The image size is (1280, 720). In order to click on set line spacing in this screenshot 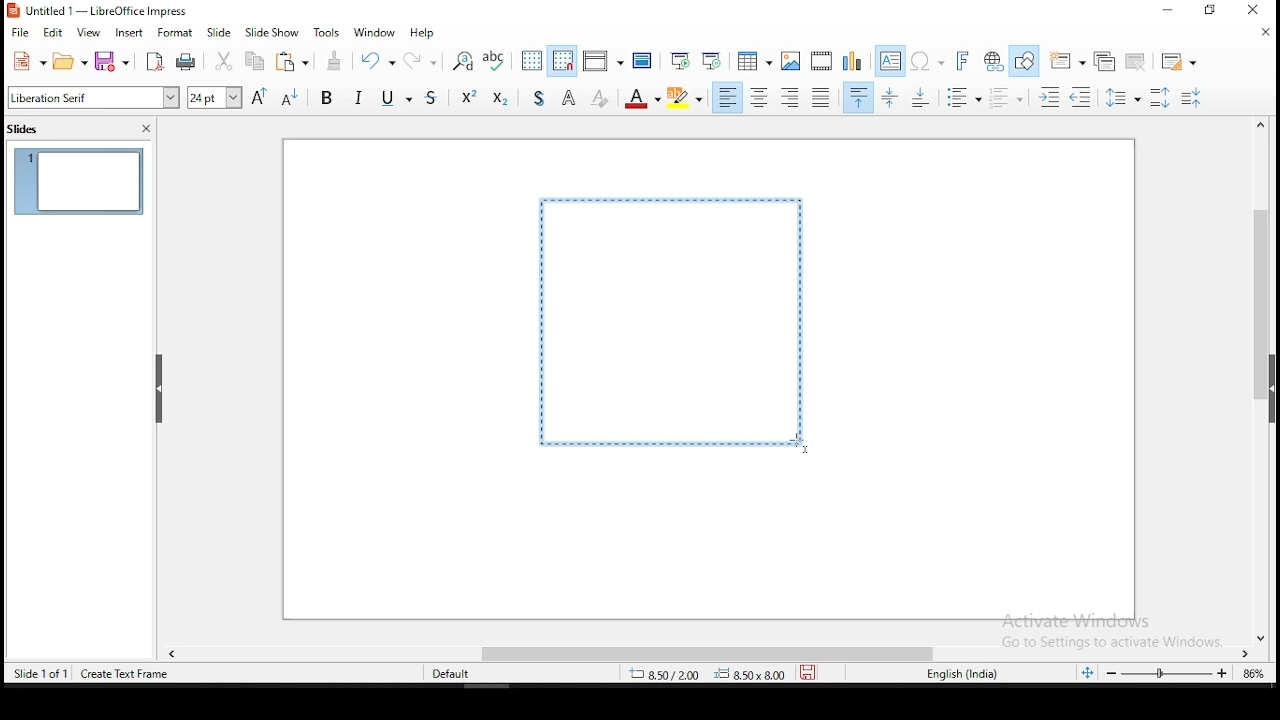, I will do `click(1127, 100)`.